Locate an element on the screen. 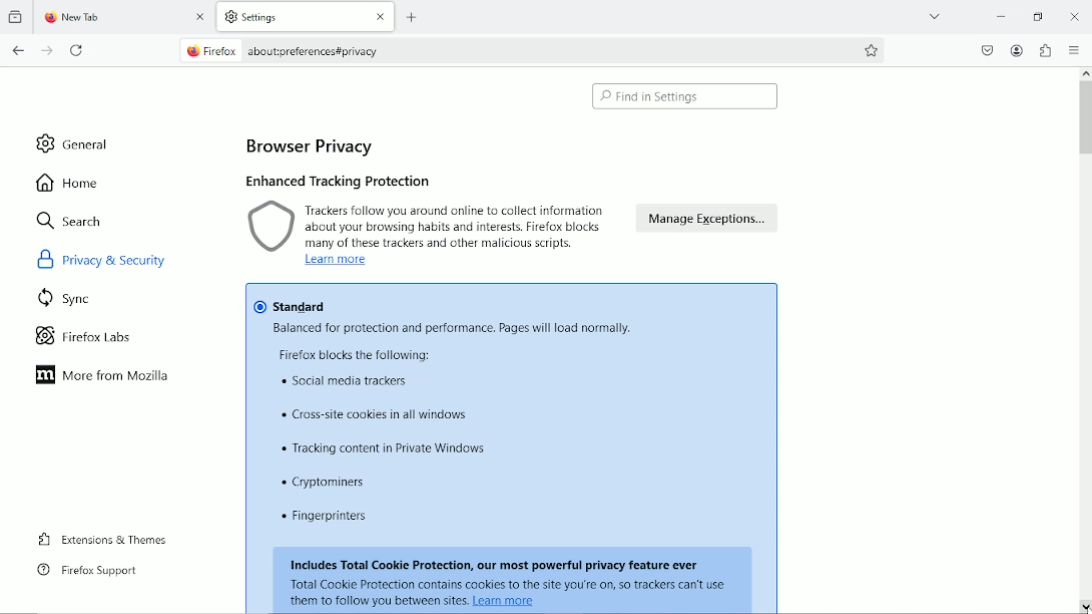 This screenshot has height=614, width=1092. » Social media trackers is located at coordinates (356, 388).